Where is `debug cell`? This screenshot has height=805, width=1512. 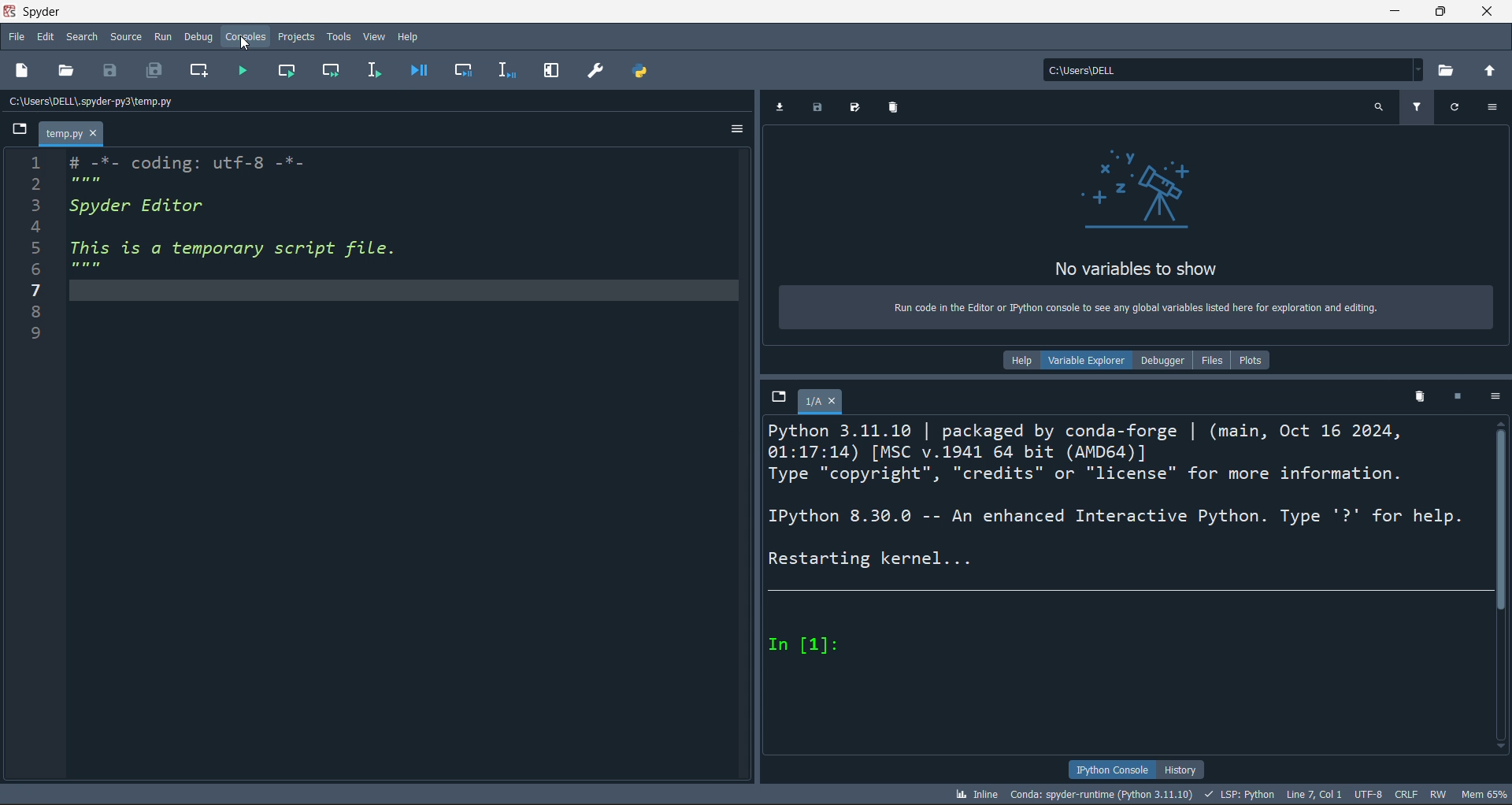 debug cell is located at coordinates (463, 68).